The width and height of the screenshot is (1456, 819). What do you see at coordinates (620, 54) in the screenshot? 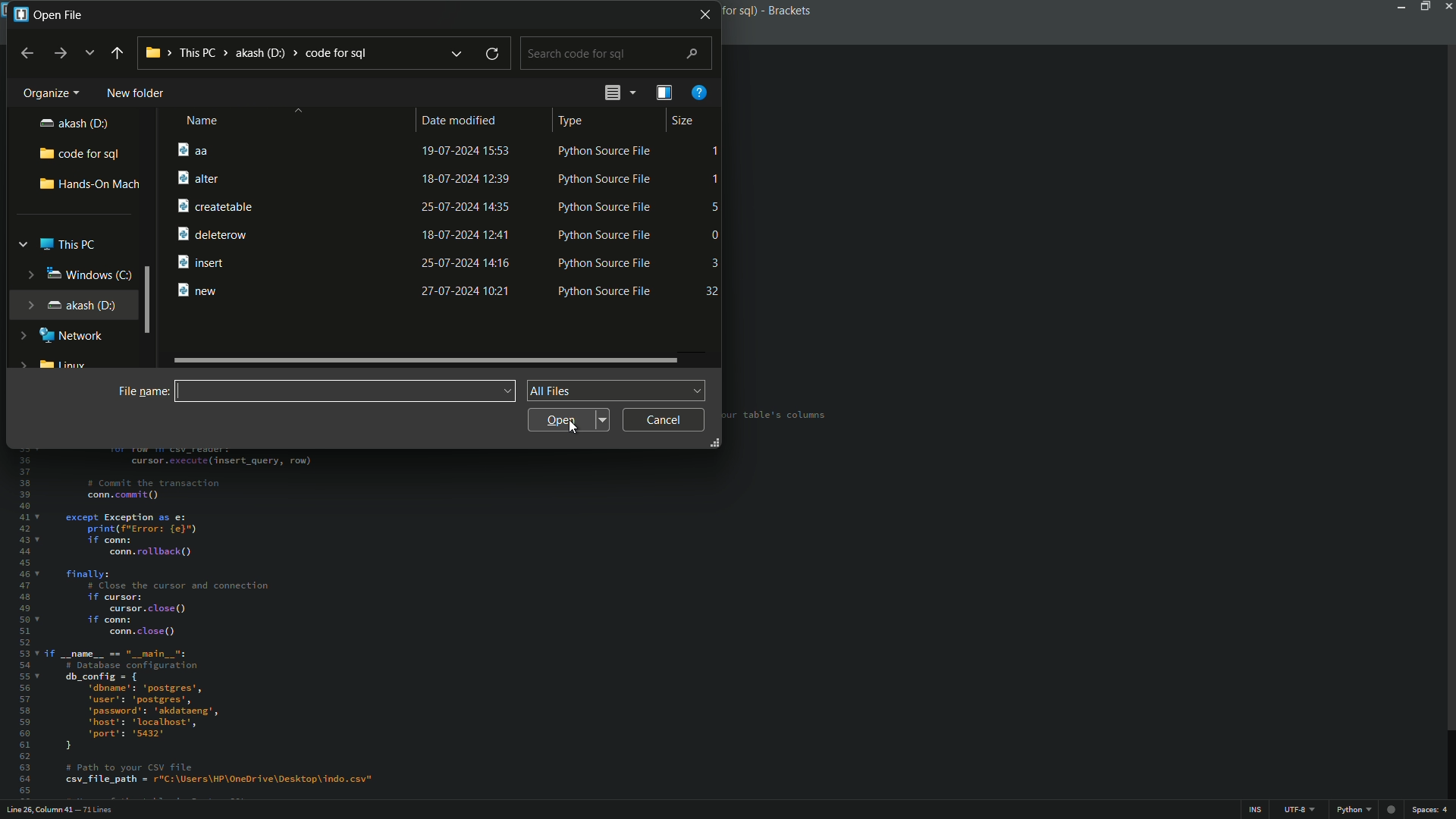
I see `search bar` at bounding box center [620, 54].